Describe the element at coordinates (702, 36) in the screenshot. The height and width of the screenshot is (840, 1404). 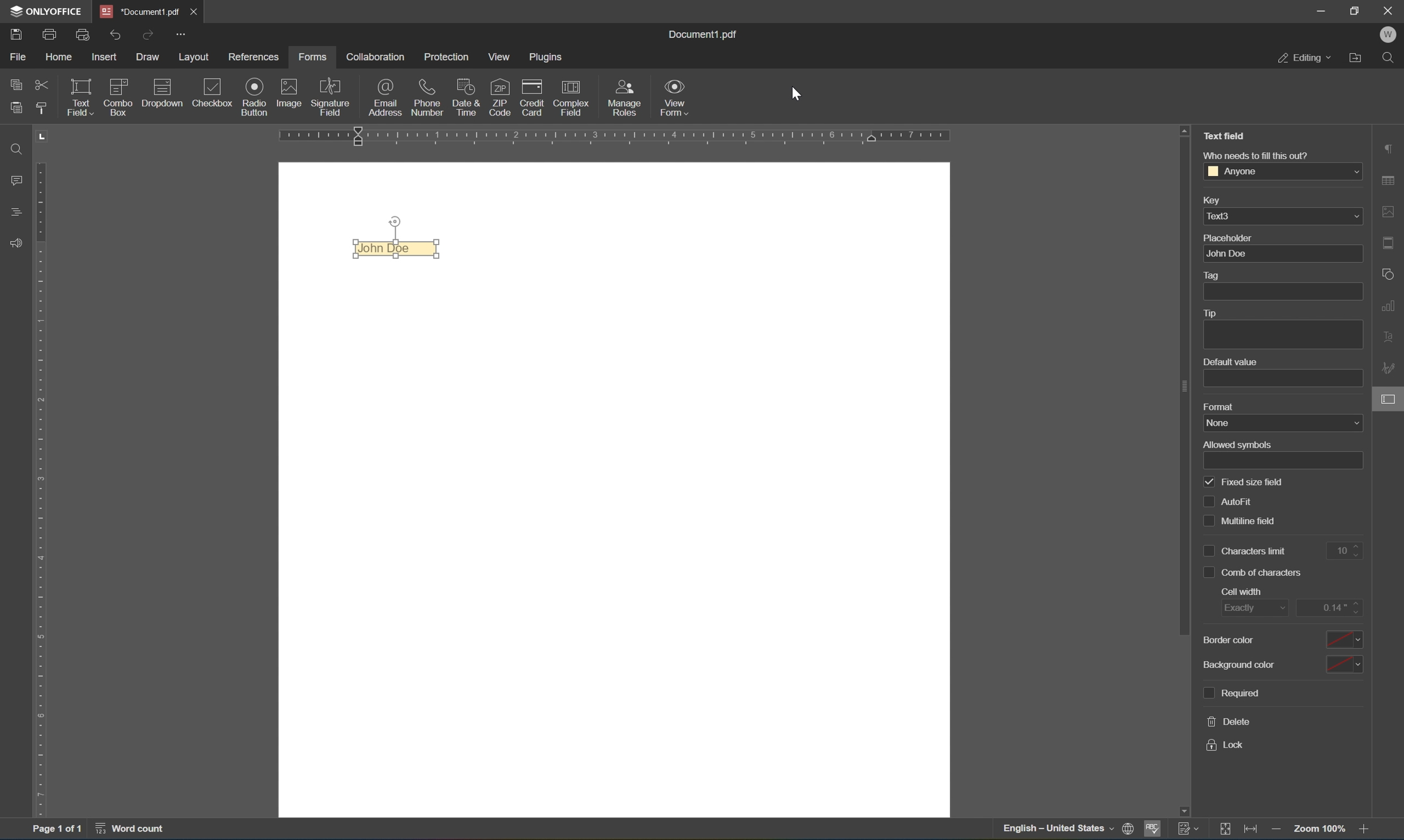
I see `document1.pdf` at that location.